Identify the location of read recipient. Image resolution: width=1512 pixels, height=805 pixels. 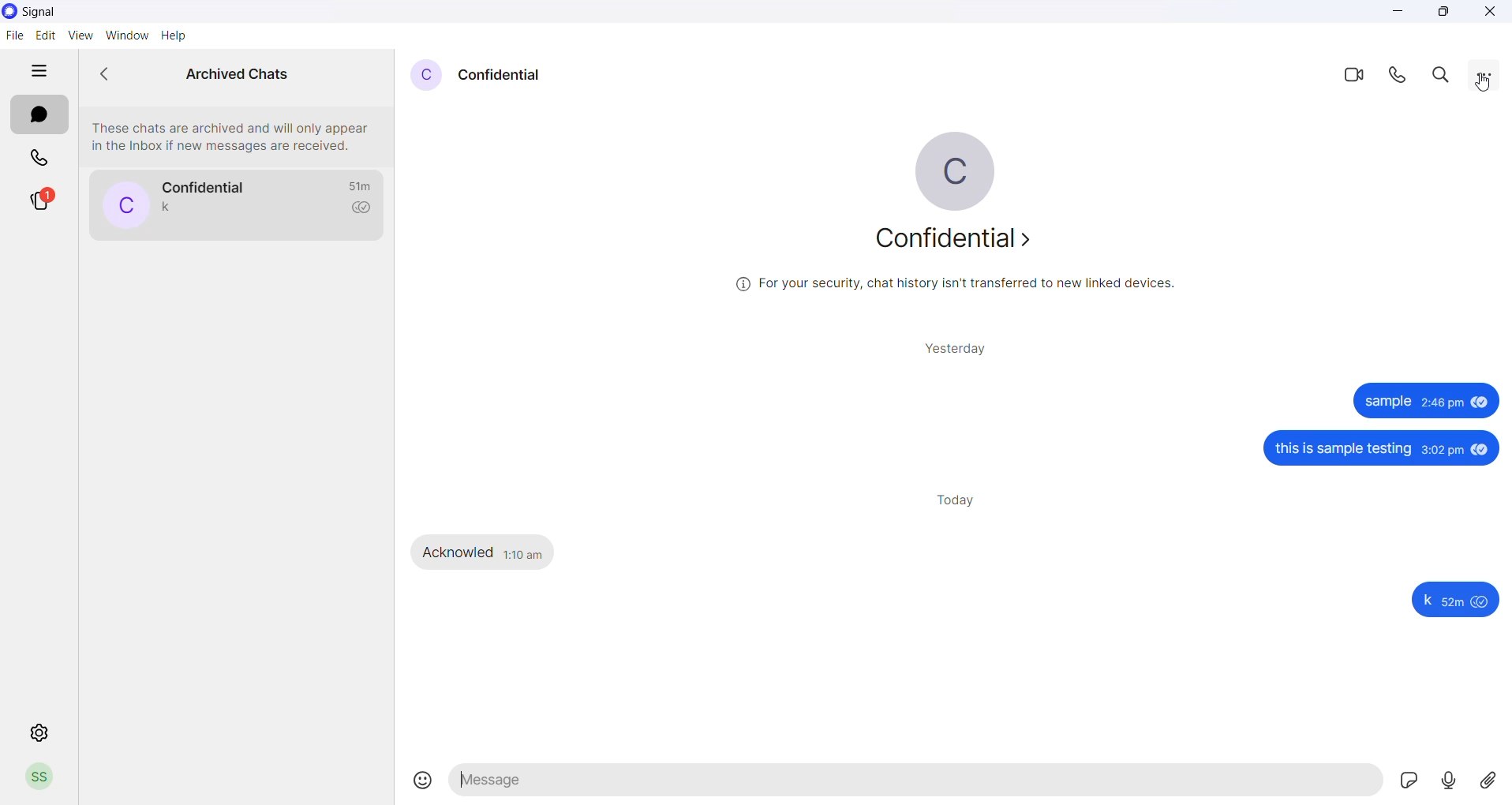
(362, 208).